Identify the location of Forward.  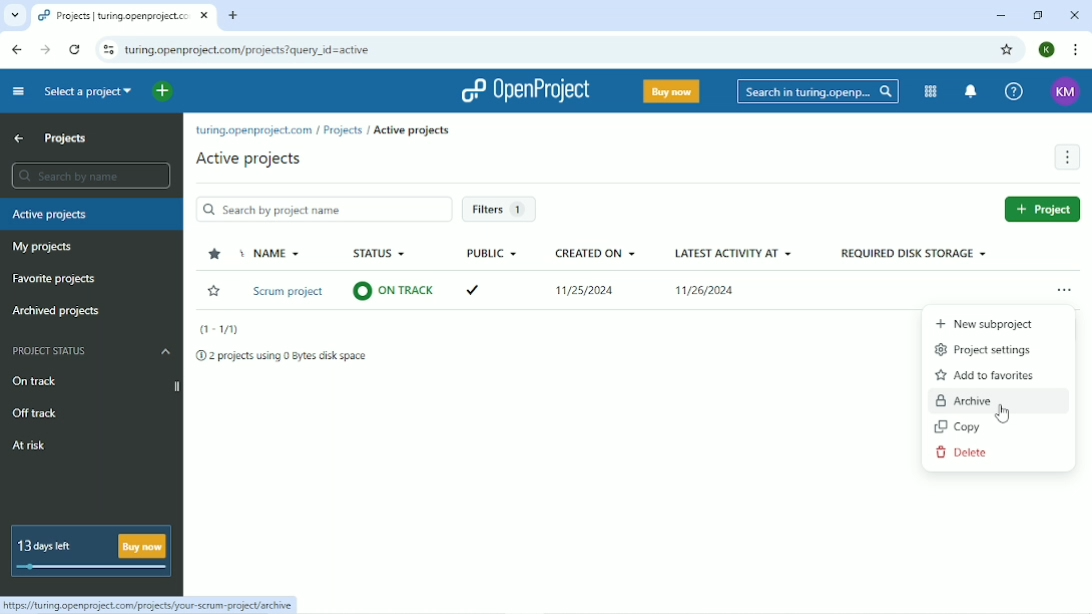
(45, 50).